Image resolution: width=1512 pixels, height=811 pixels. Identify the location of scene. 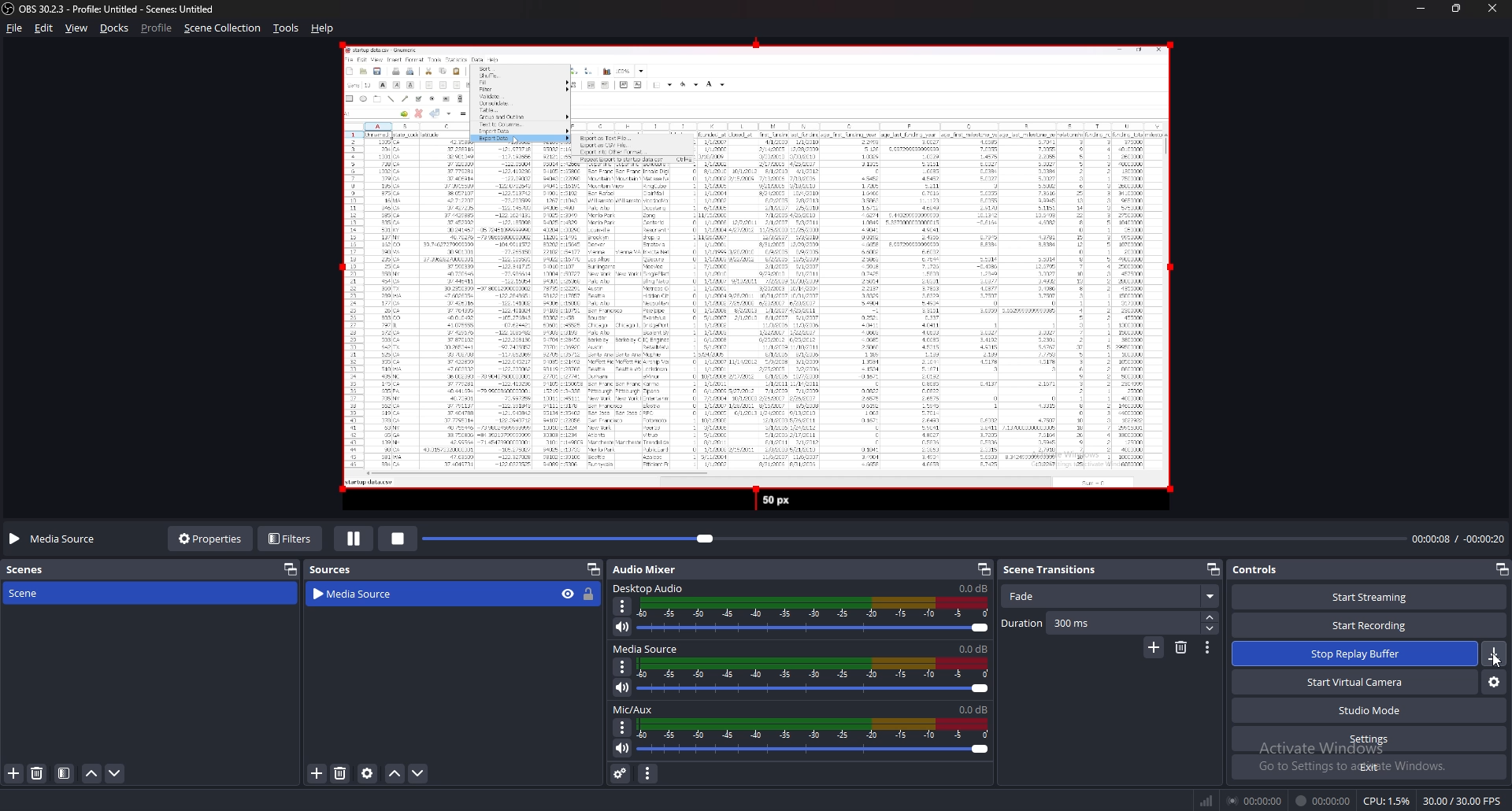
(30, 593).